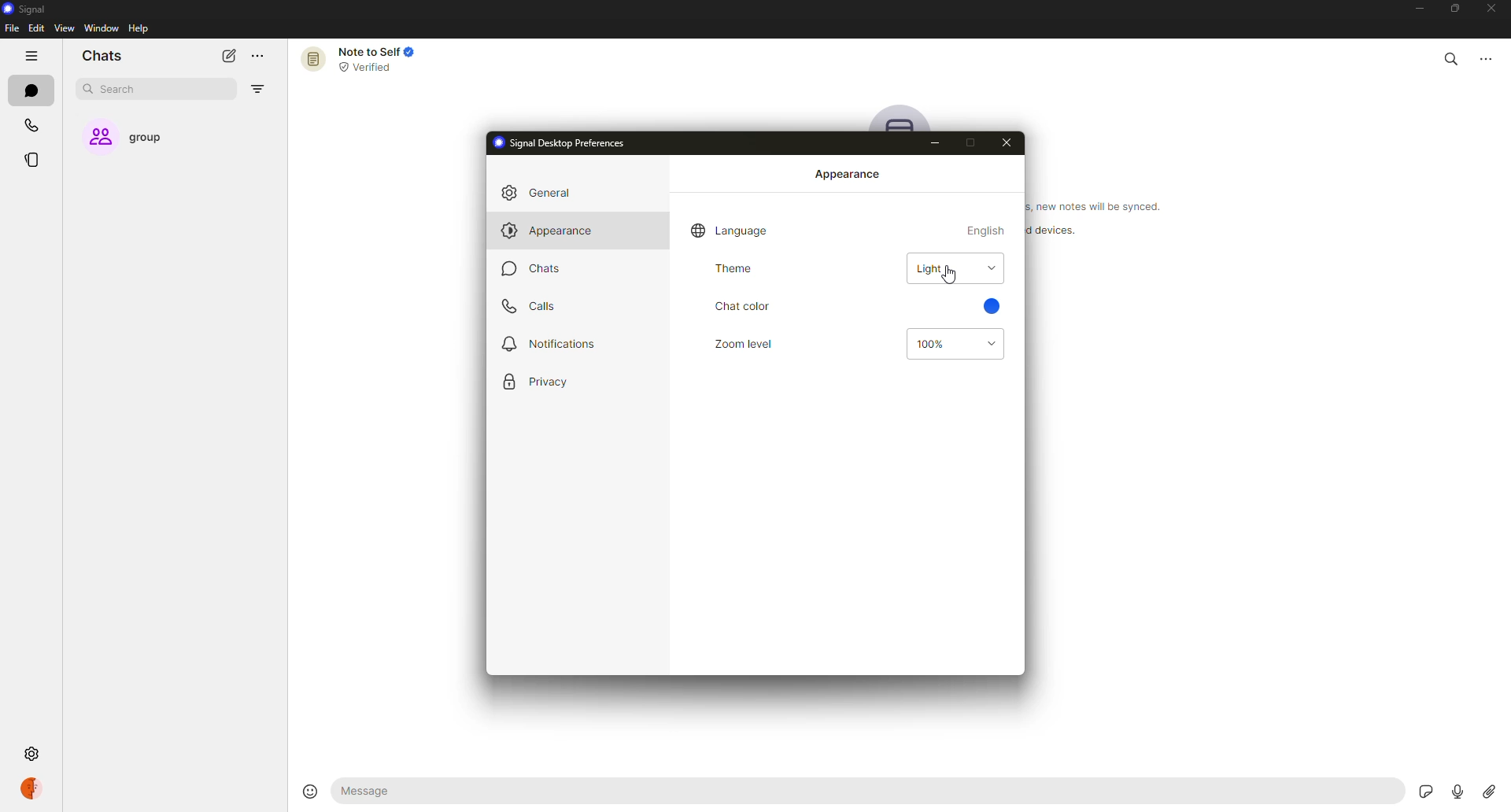  Describe the element at coordinates (988, 304) in the screenshot. I see `blue` at that location.